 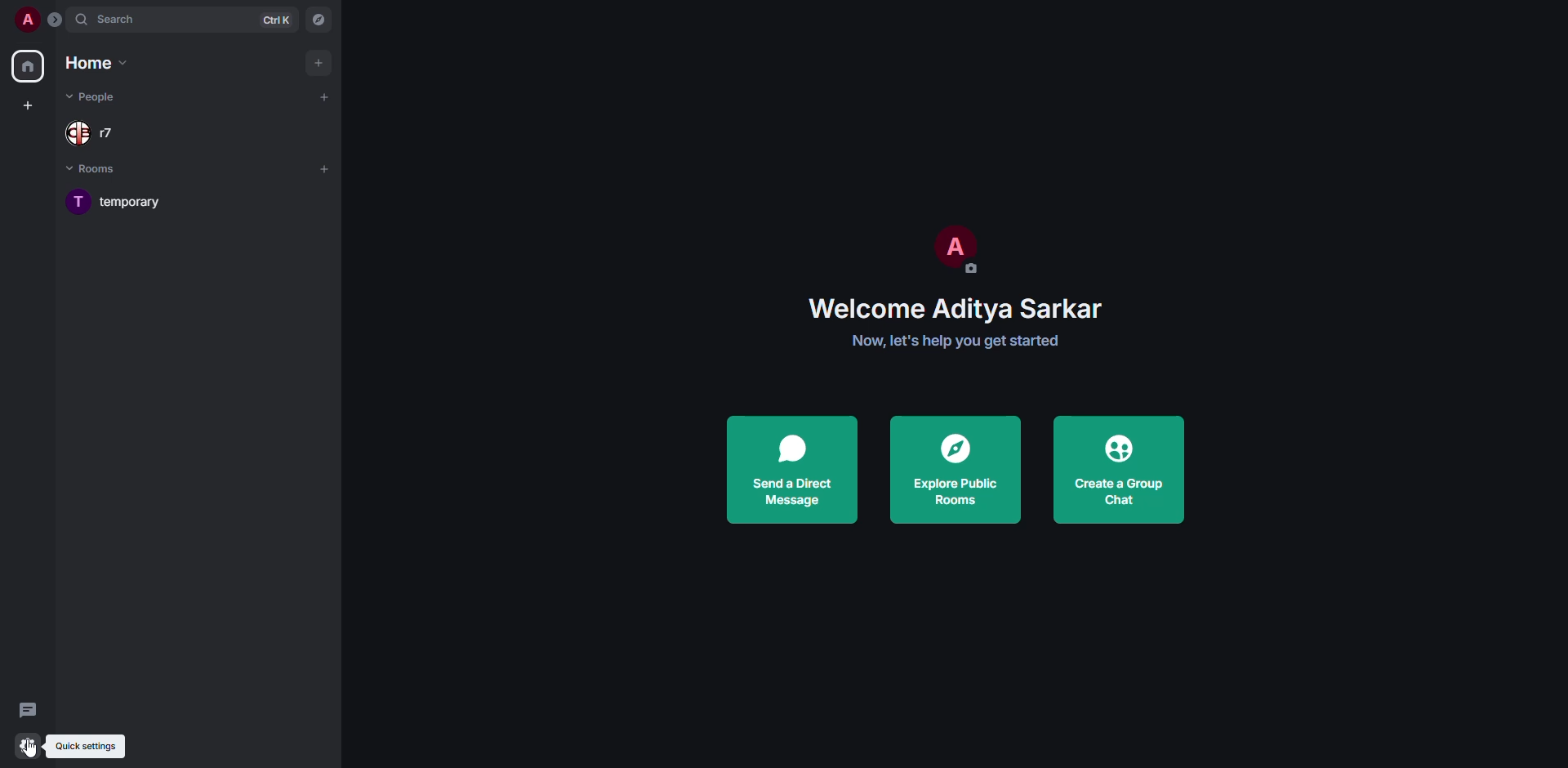 I want to click on cursor, so click(x=35, y=752).